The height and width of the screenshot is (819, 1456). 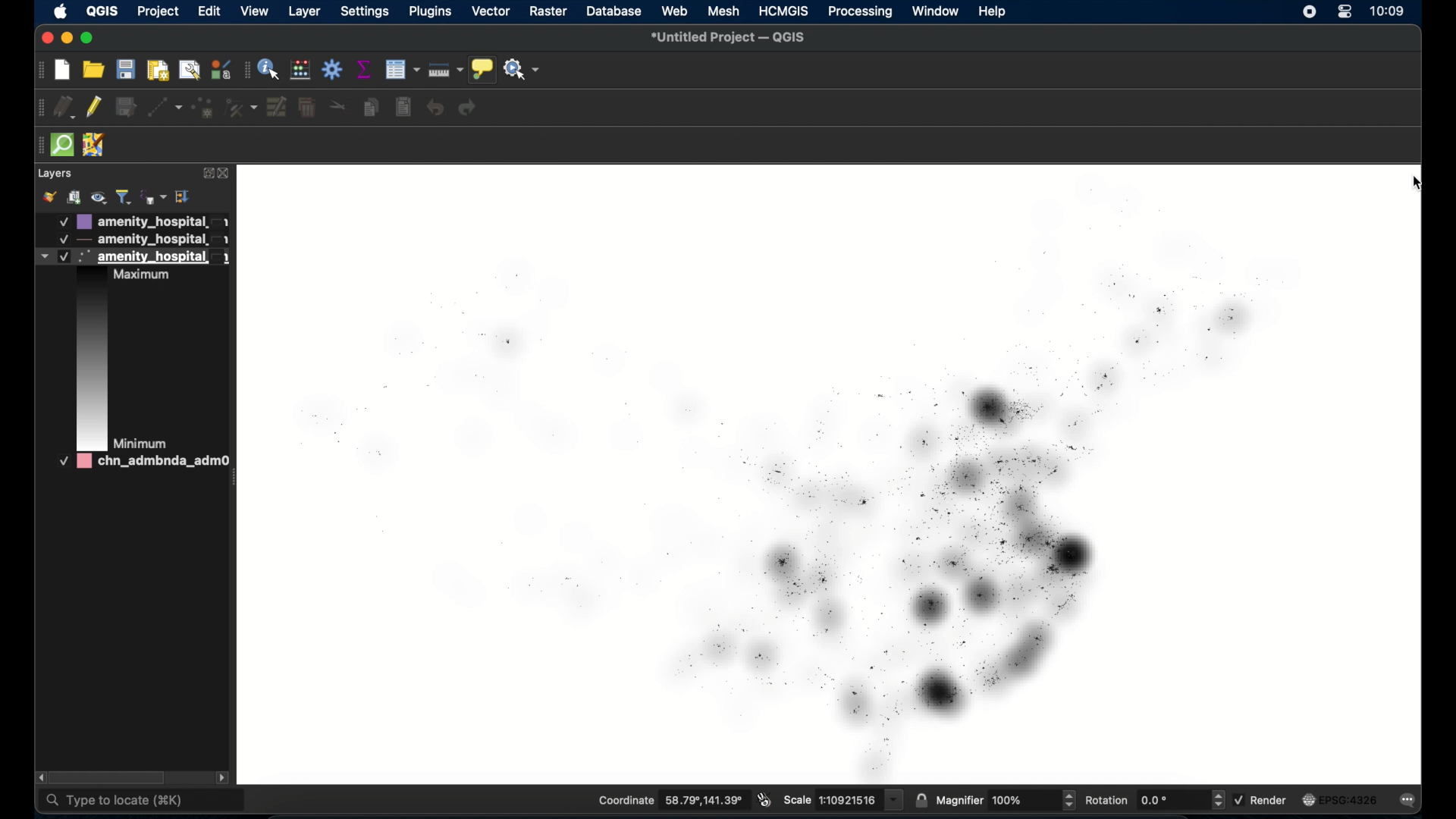 What do you see at coordinates (159, 72) in the screenshot?
I see `print layout` at bounding box center [159, 72].